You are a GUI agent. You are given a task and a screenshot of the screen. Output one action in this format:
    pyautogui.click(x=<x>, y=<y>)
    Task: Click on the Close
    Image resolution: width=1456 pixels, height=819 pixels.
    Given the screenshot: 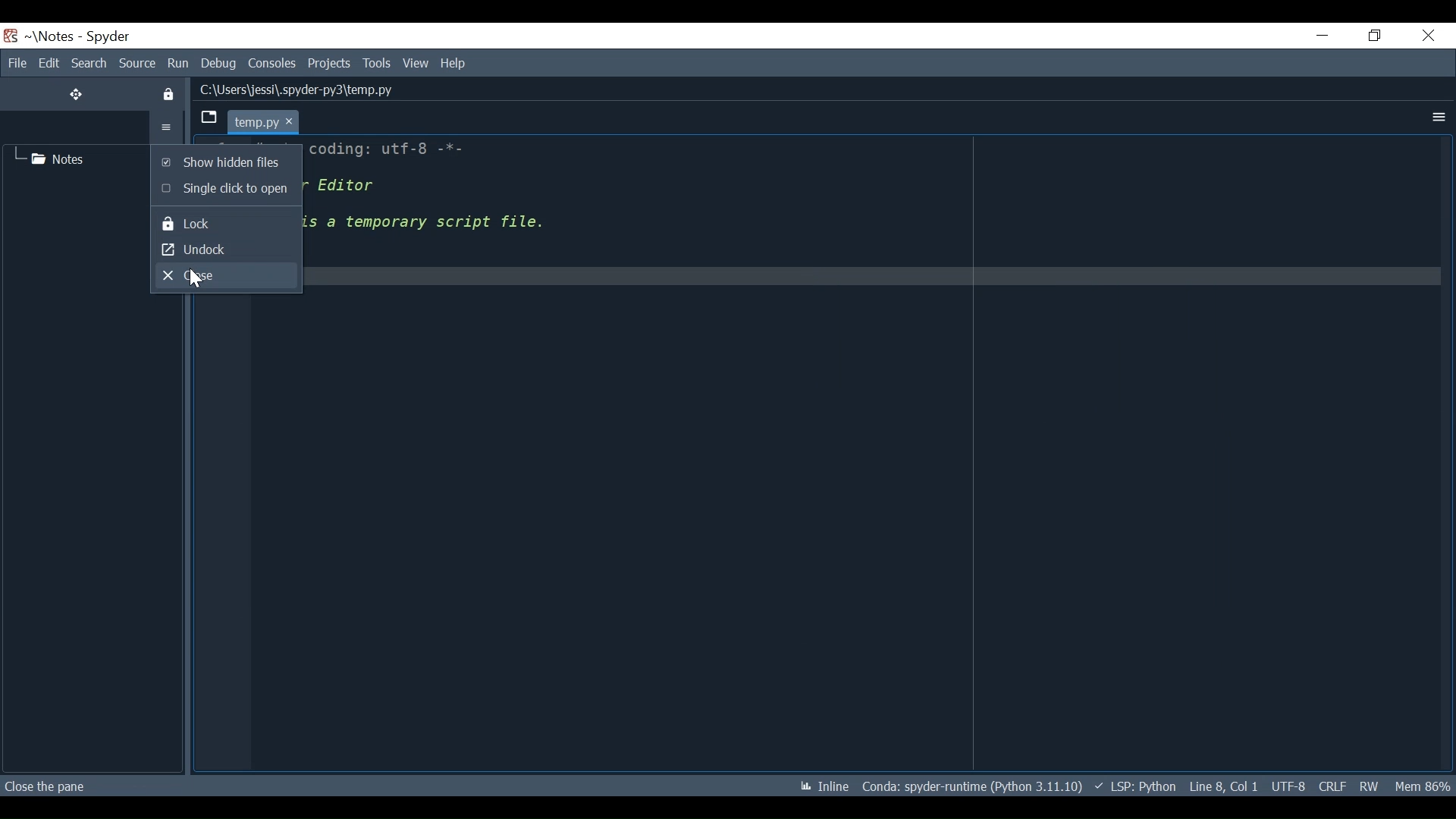 What is the action you would take?
    pyautogui.click(x=1427, y=36)
    